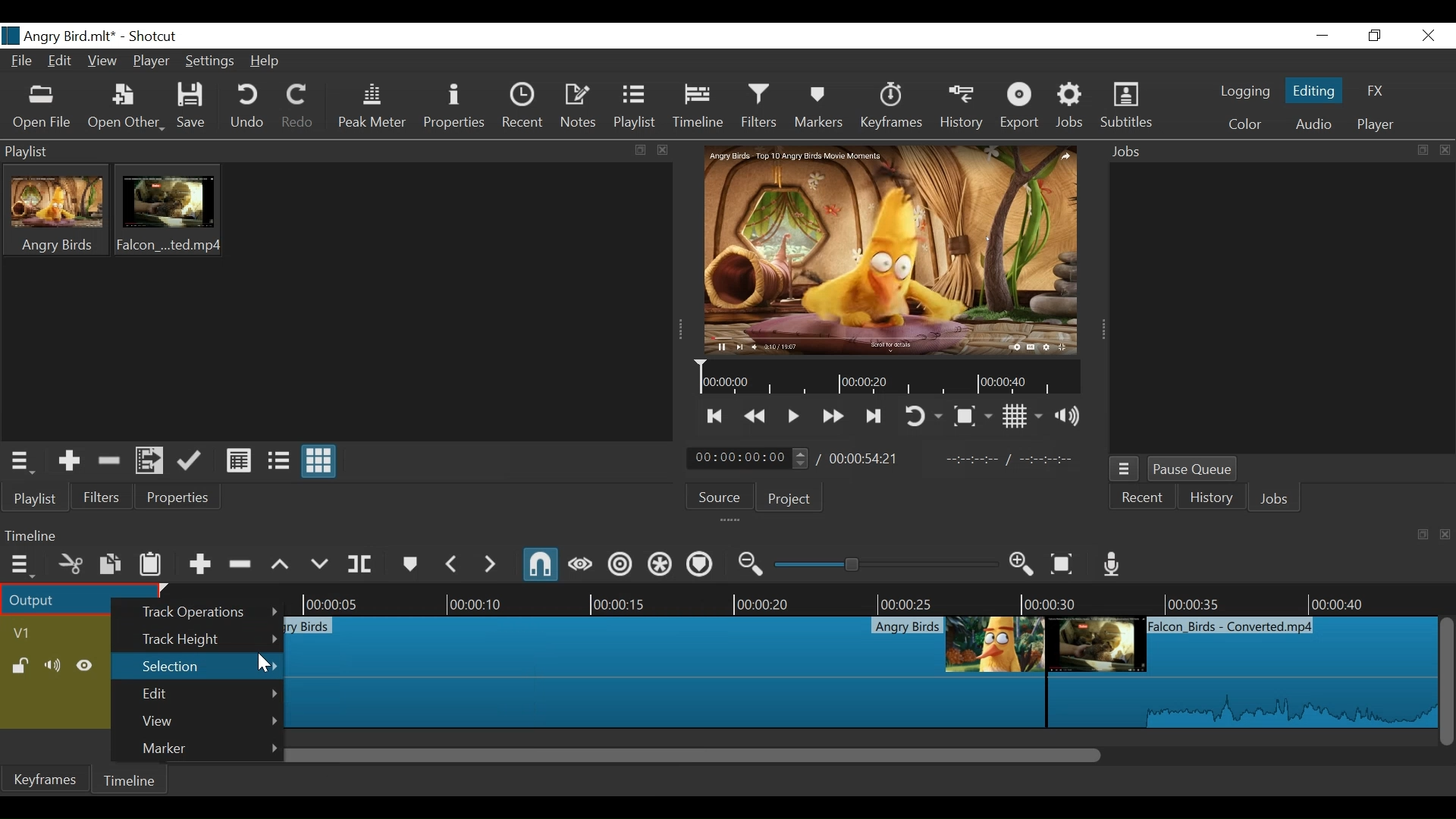 The width and height of the screenshot is (1456, 819). What do you see at coordinates (1323, 36) in the screenshot?
I see `minimize` at bounding box center [1323, 36].